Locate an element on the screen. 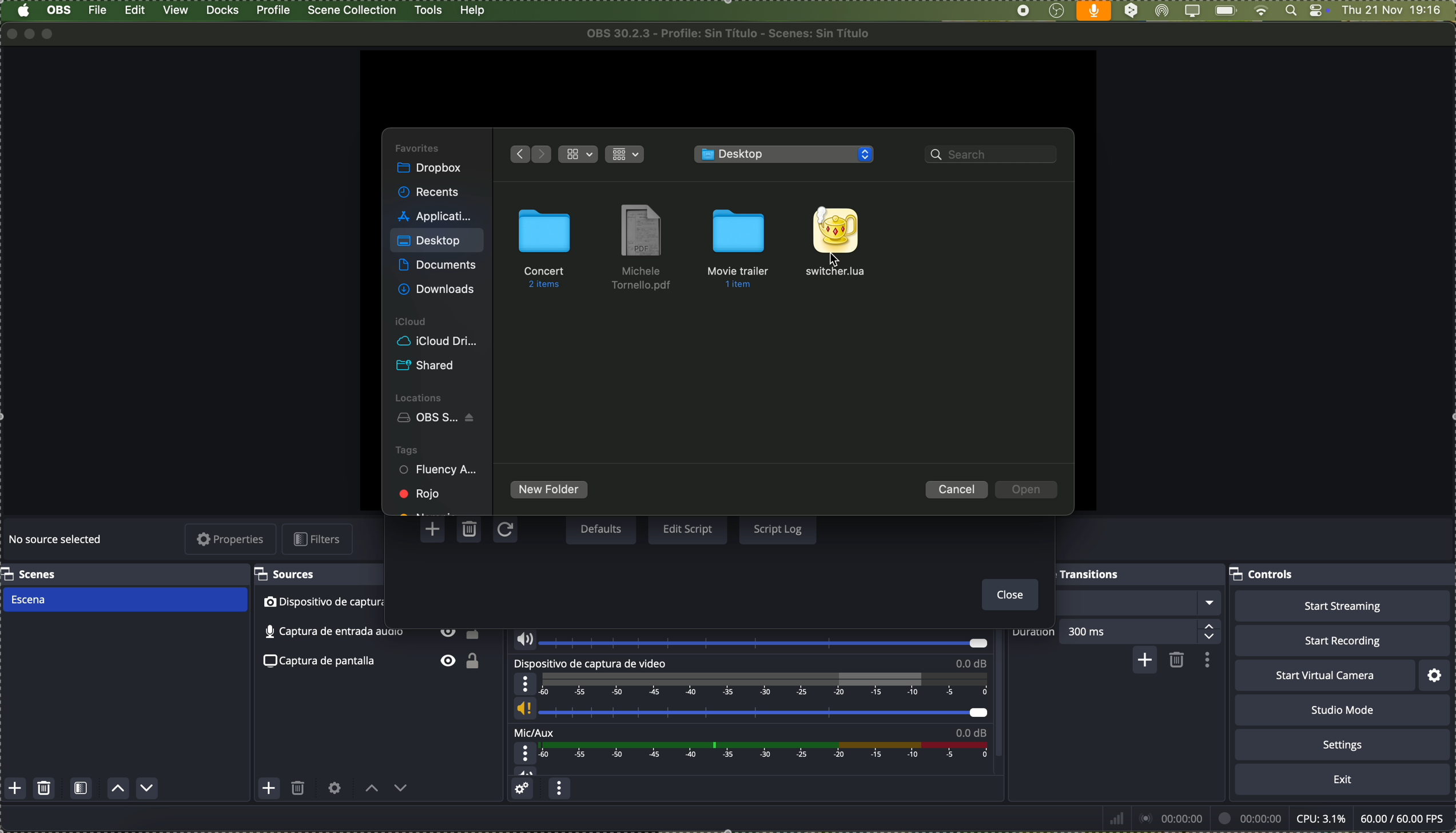  video capture device is located at coordinates (319, 603).